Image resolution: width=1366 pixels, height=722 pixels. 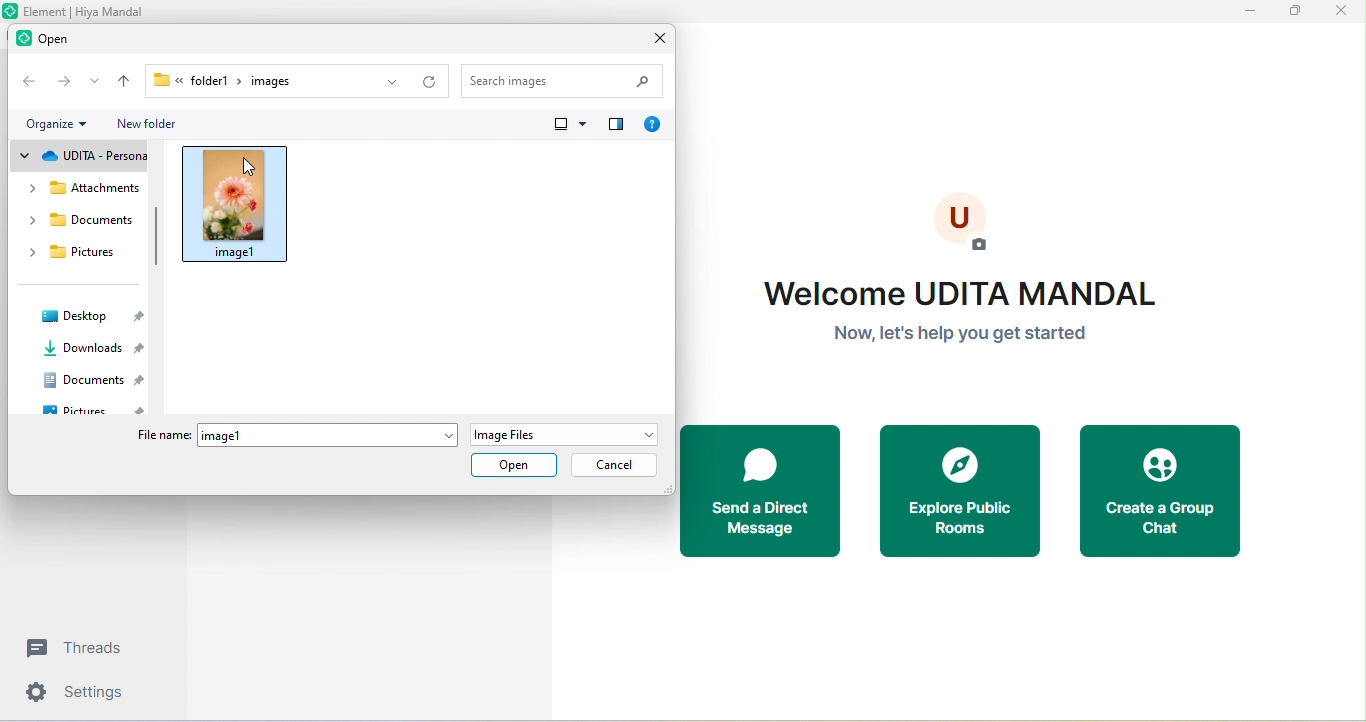 What do you see at coordinates (154, 238) in the screenshot?
I see `hide` at bounding box center [154, 238].